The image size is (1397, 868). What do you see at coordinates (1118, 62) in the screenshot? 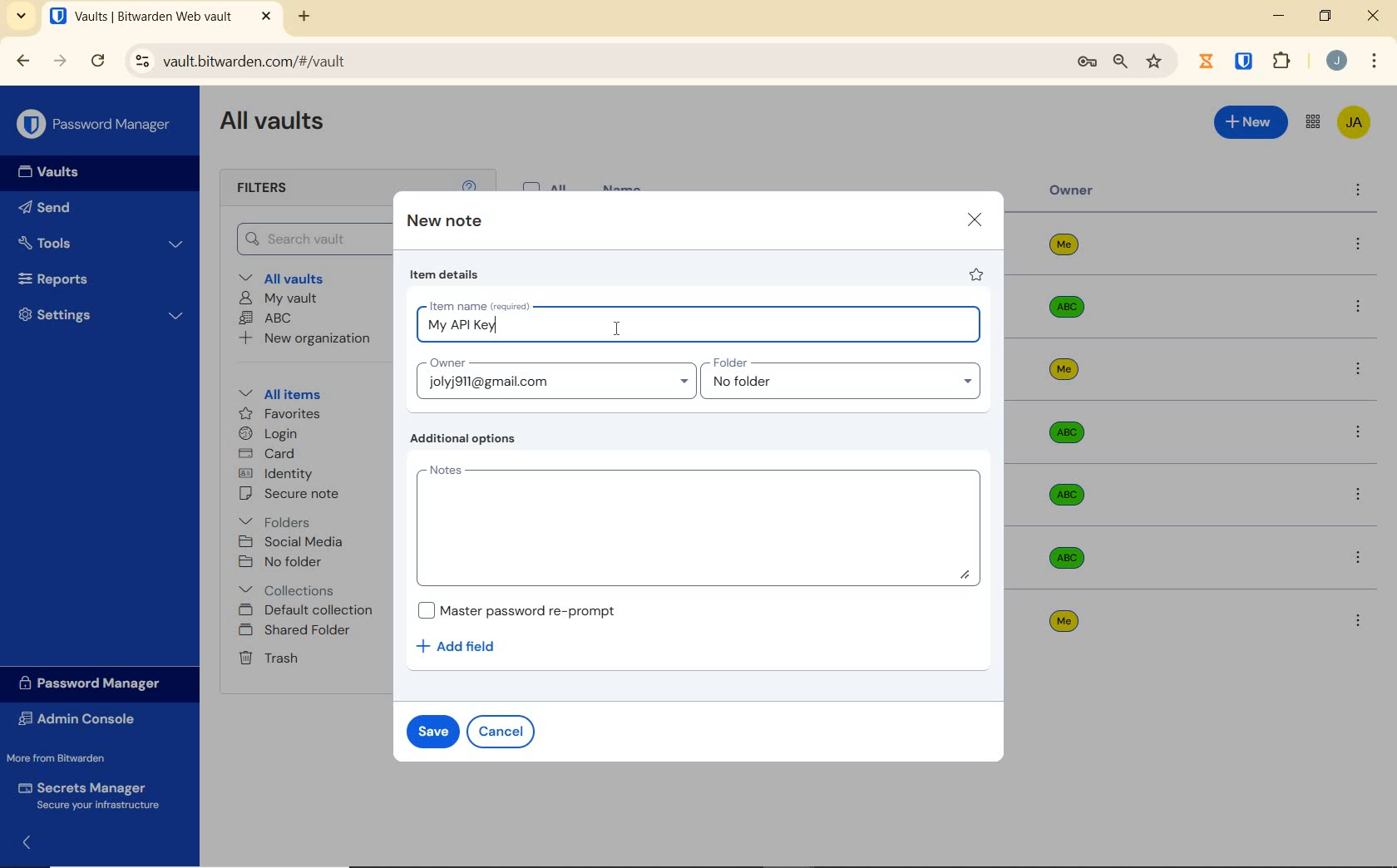
I see `zoom` at bounding box center [1118, 62].